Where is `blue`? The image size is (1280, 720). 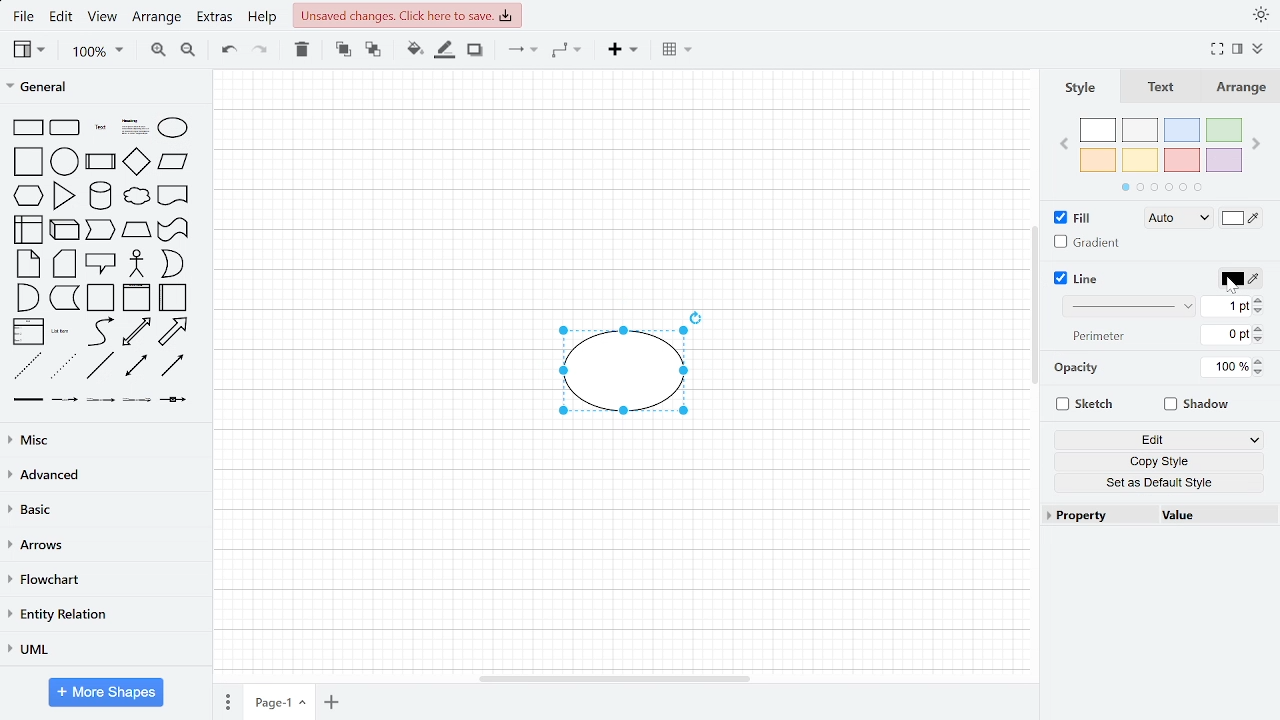 blue is located at coordinates (1183, 130).